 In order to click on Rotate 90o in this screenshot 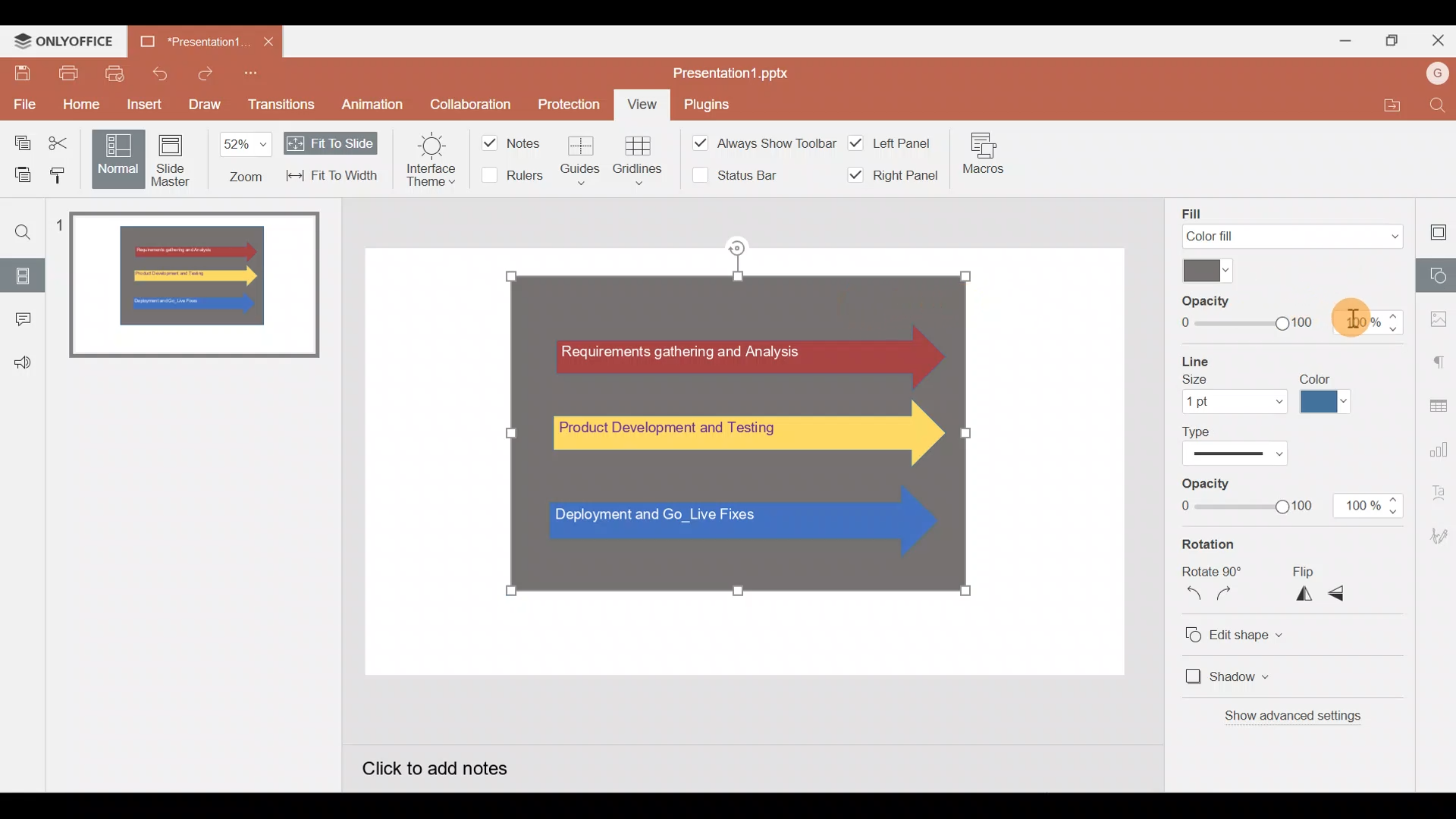, I will do `click(1211, 570)`.